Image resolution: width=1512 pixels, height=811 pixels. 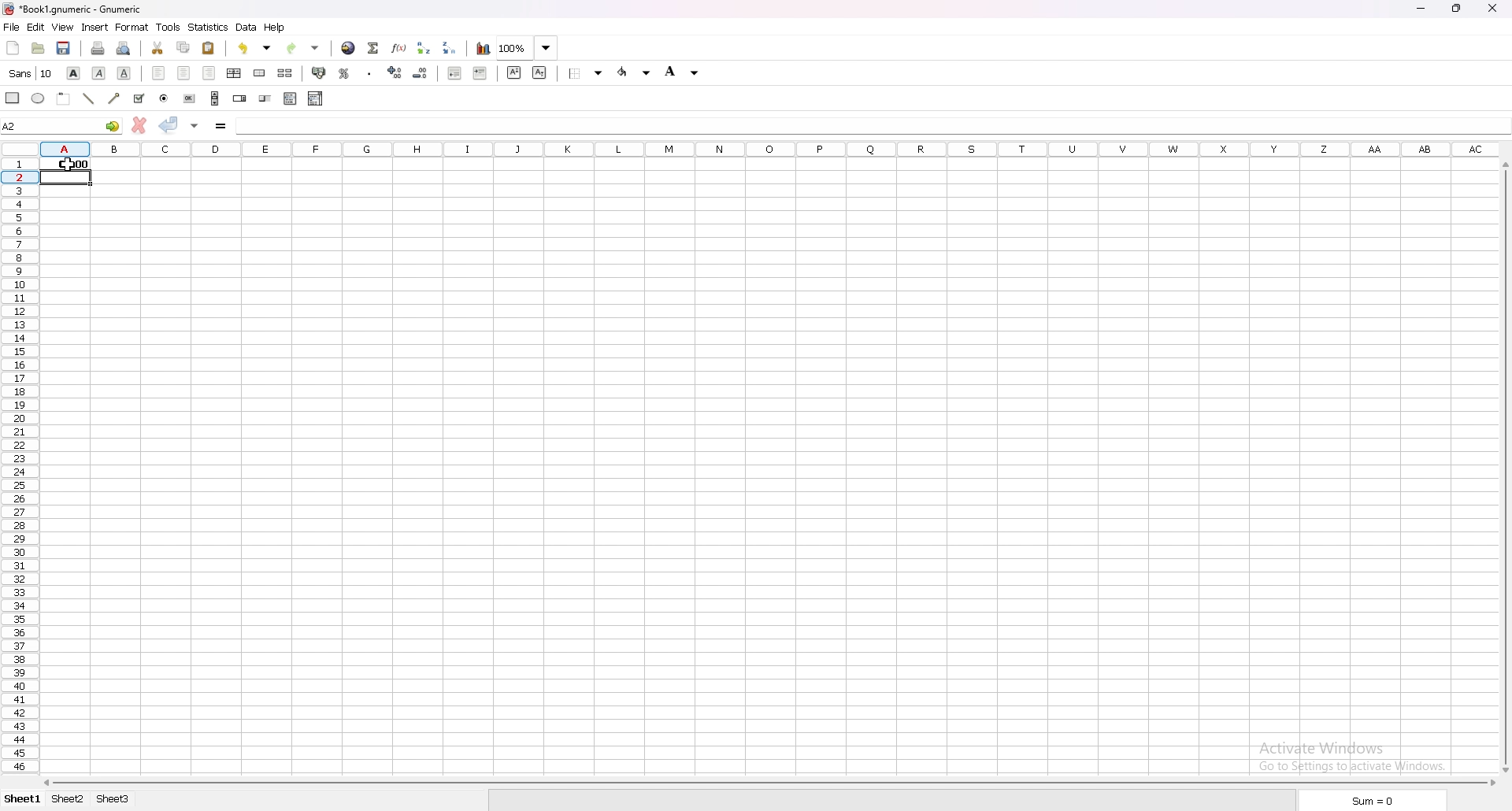 What do you see at coordinates (184, 73) in the screenshot?
I see `center` at bounding box center [184, 73].